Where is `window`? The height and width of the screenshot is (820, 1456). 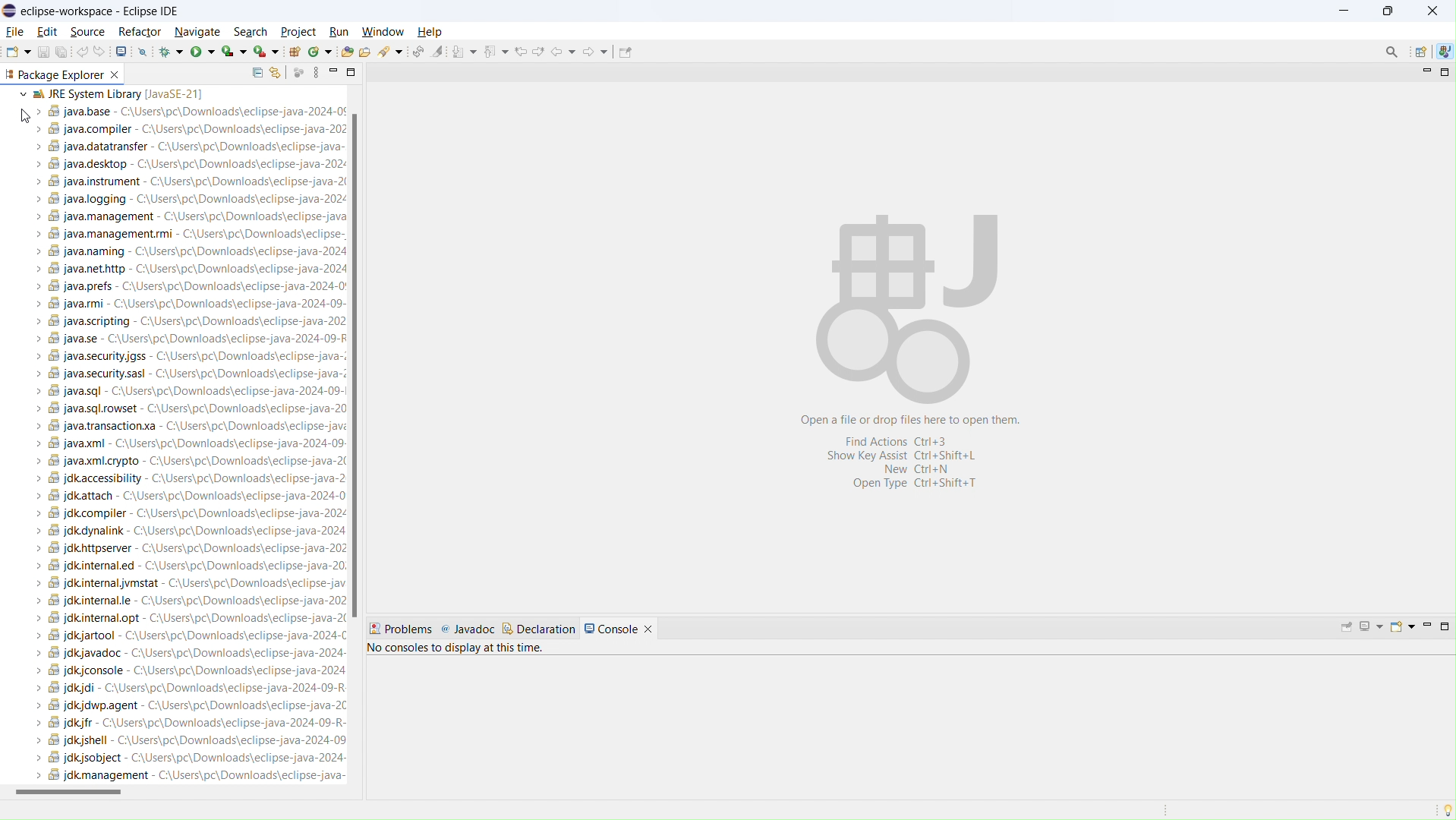
window is located at coordinates (380, 31).